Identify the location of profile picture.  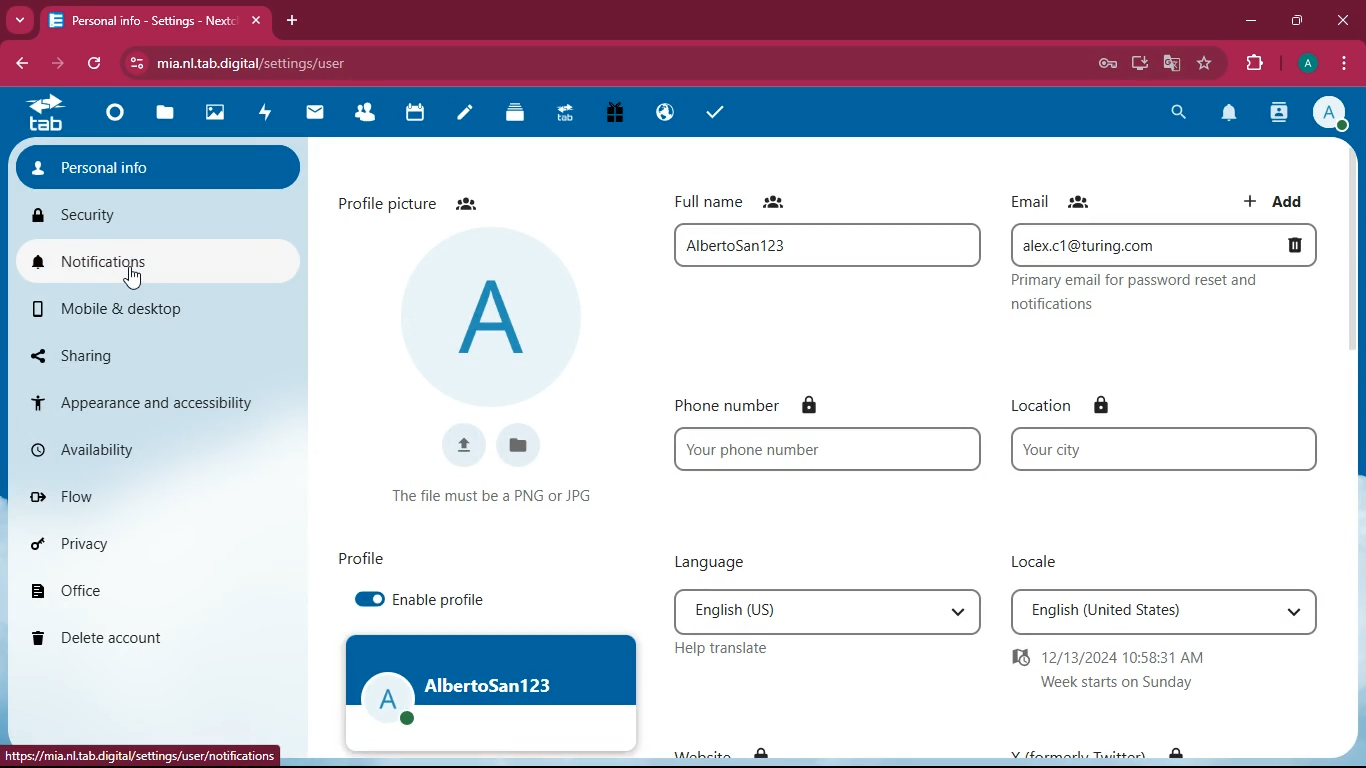
(504, 318).